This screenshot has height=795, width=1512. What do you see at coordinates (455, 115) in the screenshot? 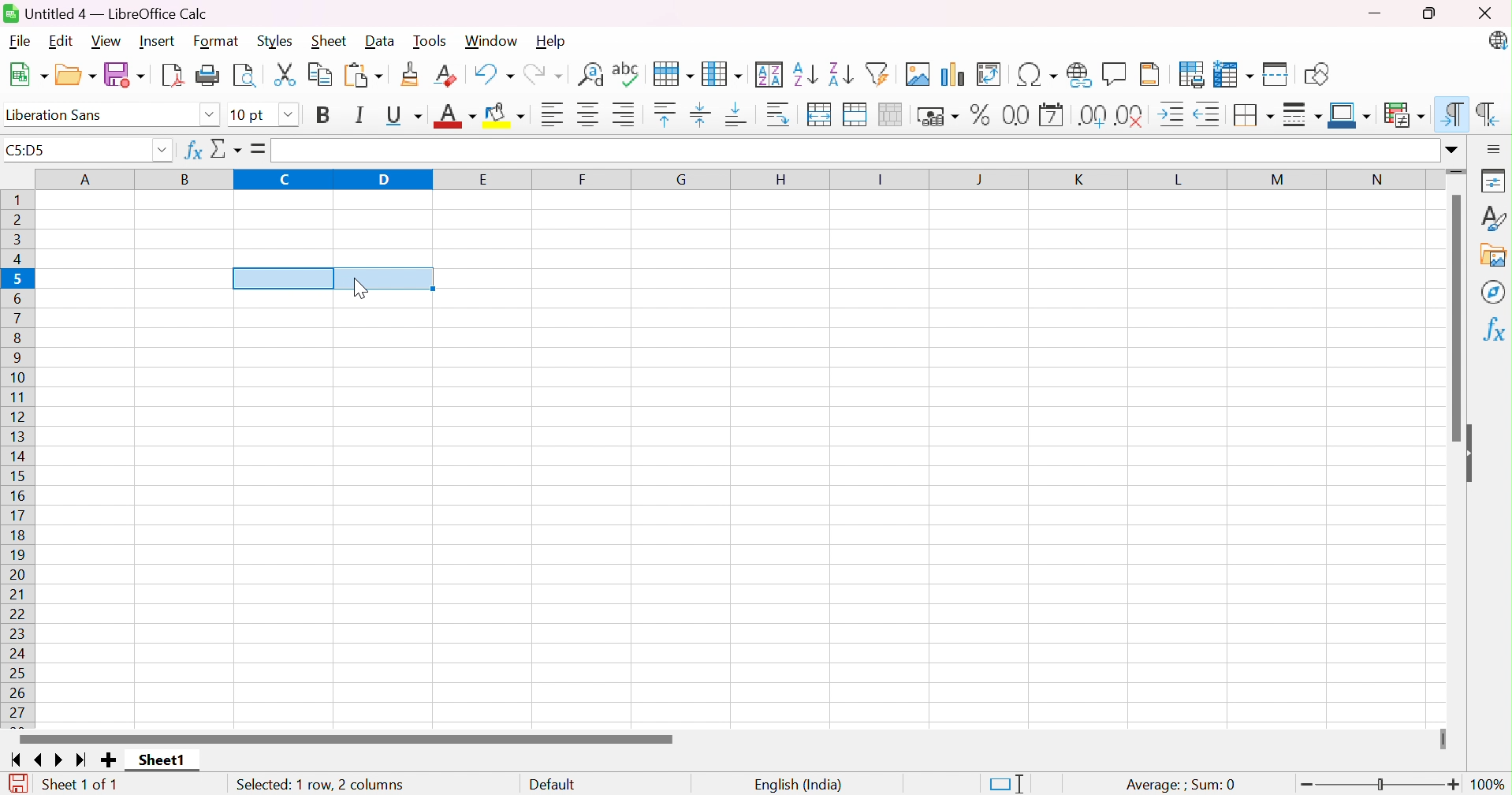
I see `Font Color` at bounding box center [455, 115].